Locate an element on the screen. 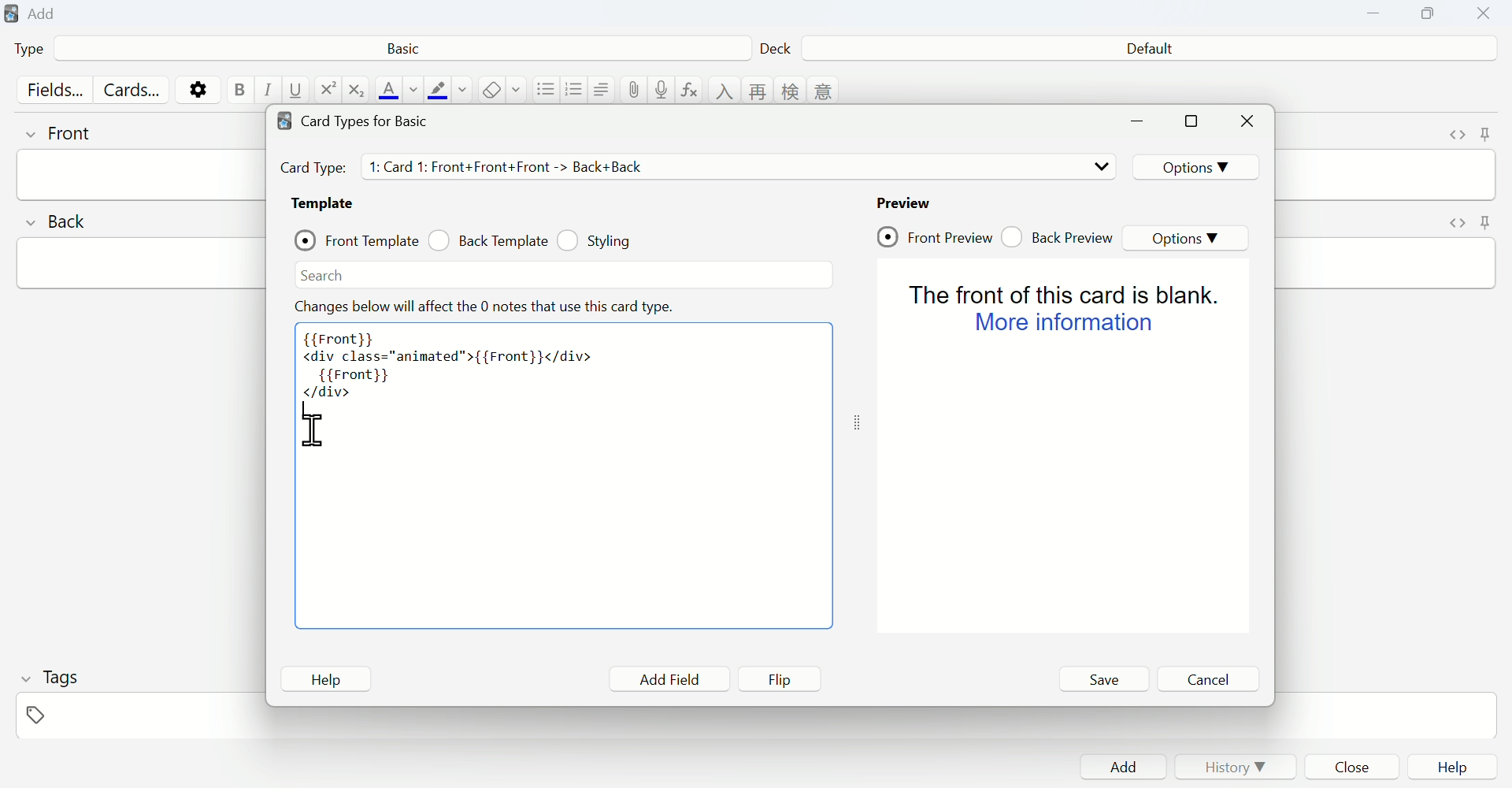 The width and height of the screenshot is (1512, 788). alignment is located at coordinates (602, 90).